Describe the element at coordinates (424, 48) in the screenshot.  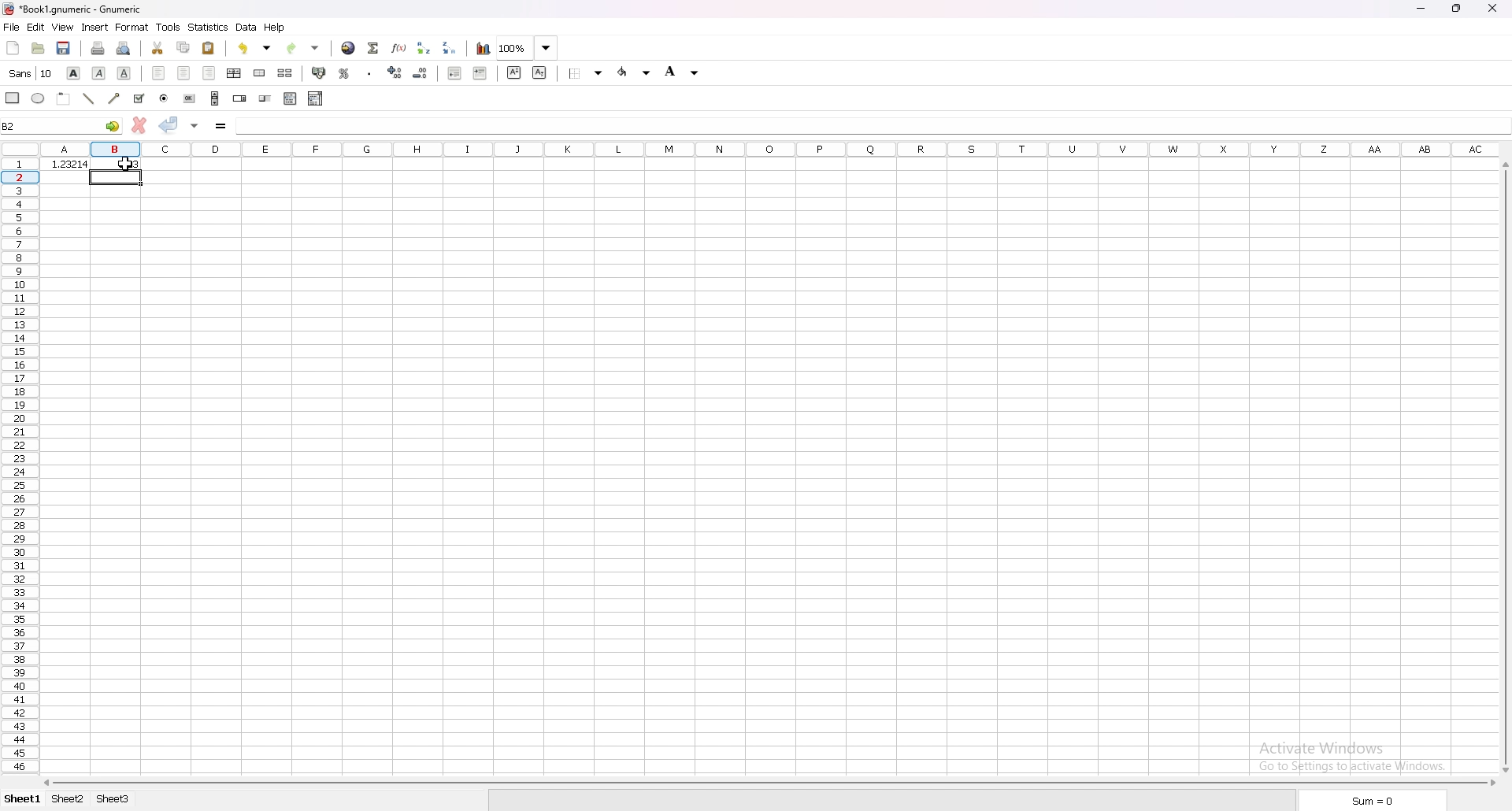
I see `sort ascending` at that location.